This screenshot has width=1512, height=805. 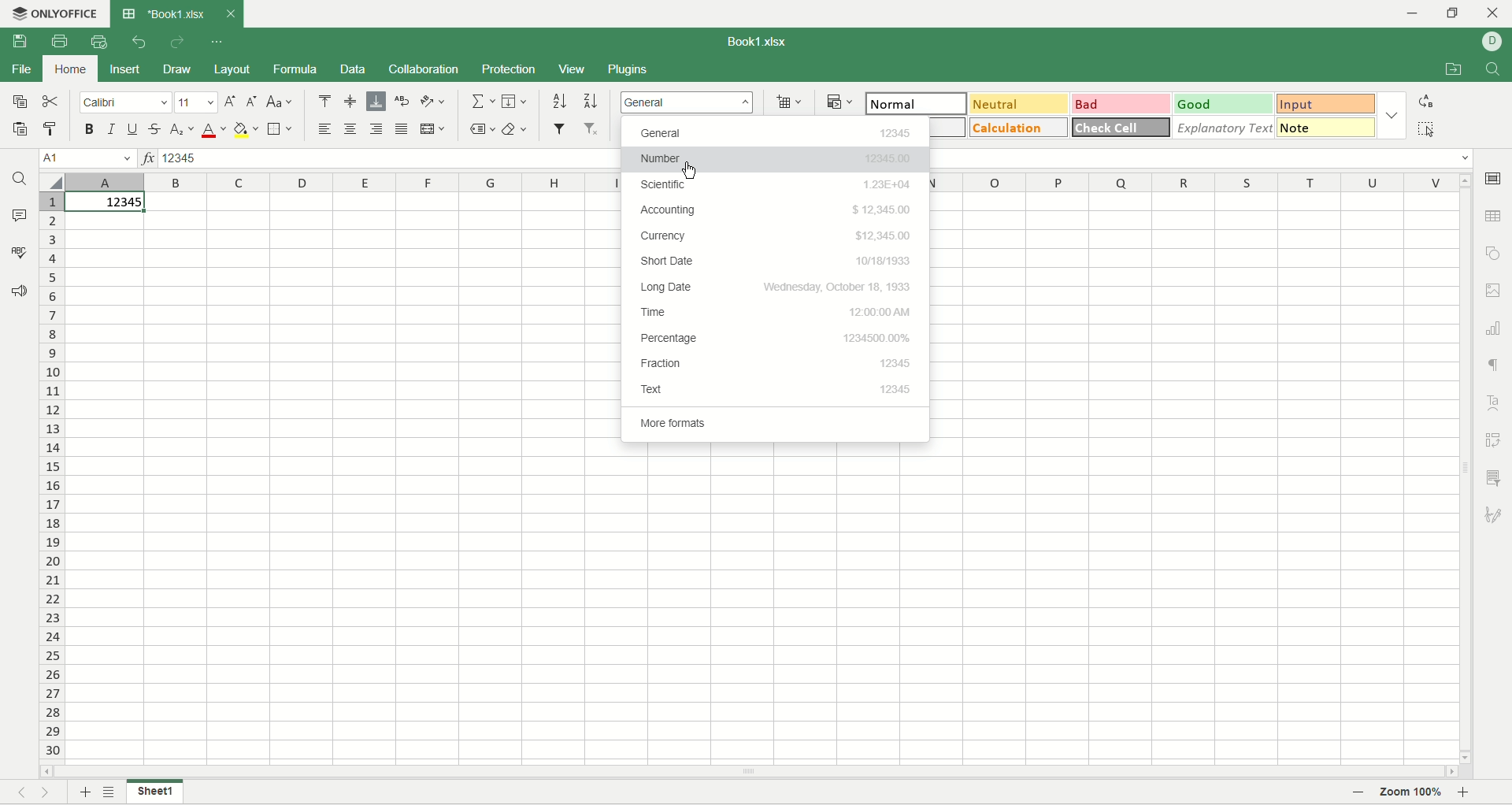 What do you see at coordinates (20, 101) in the screenshot?
I see `copy` at bounding box center [20, 101].